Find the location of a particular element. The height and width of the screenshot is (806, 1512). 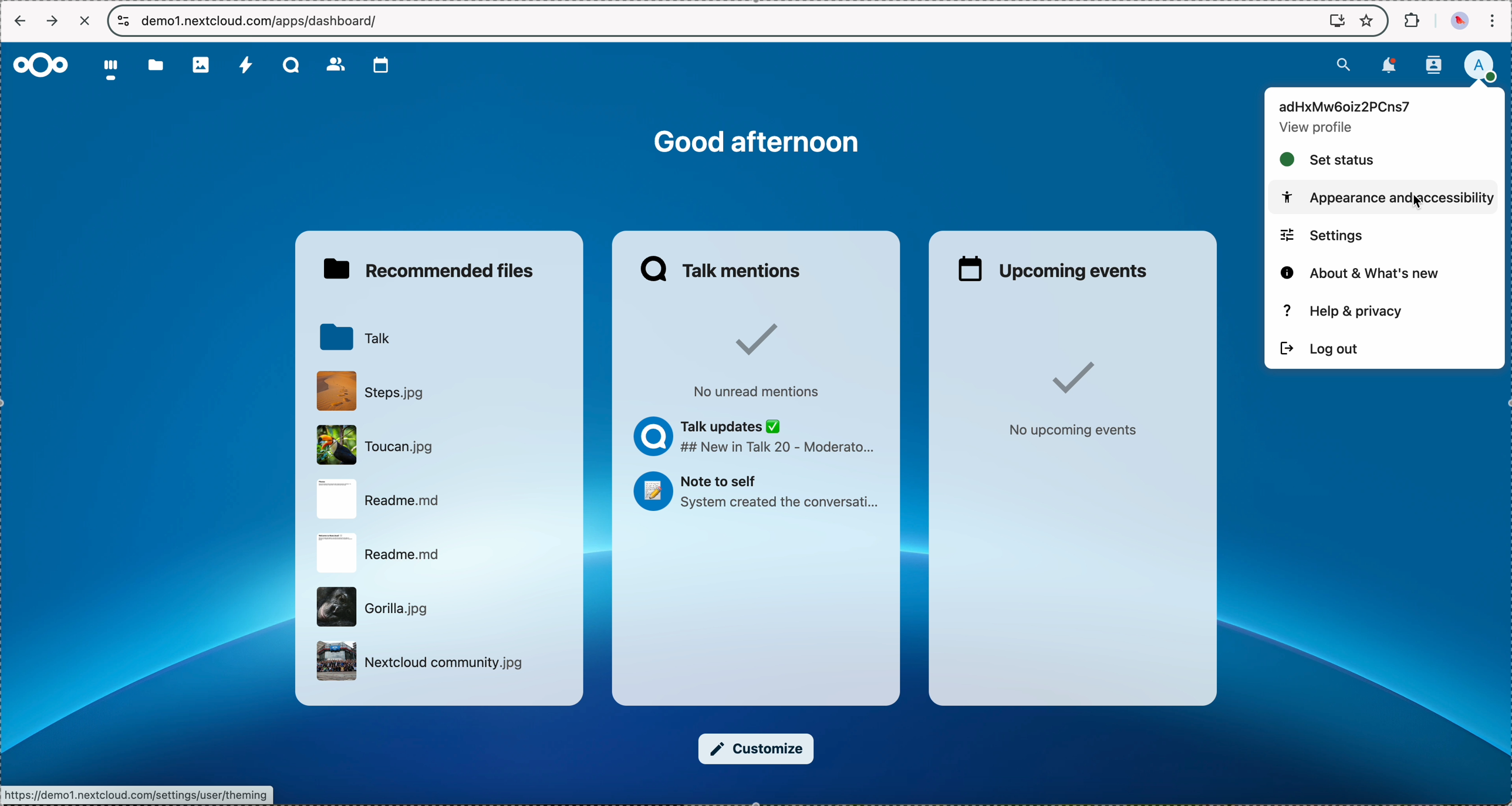

file is located at coordinates (372, 390).